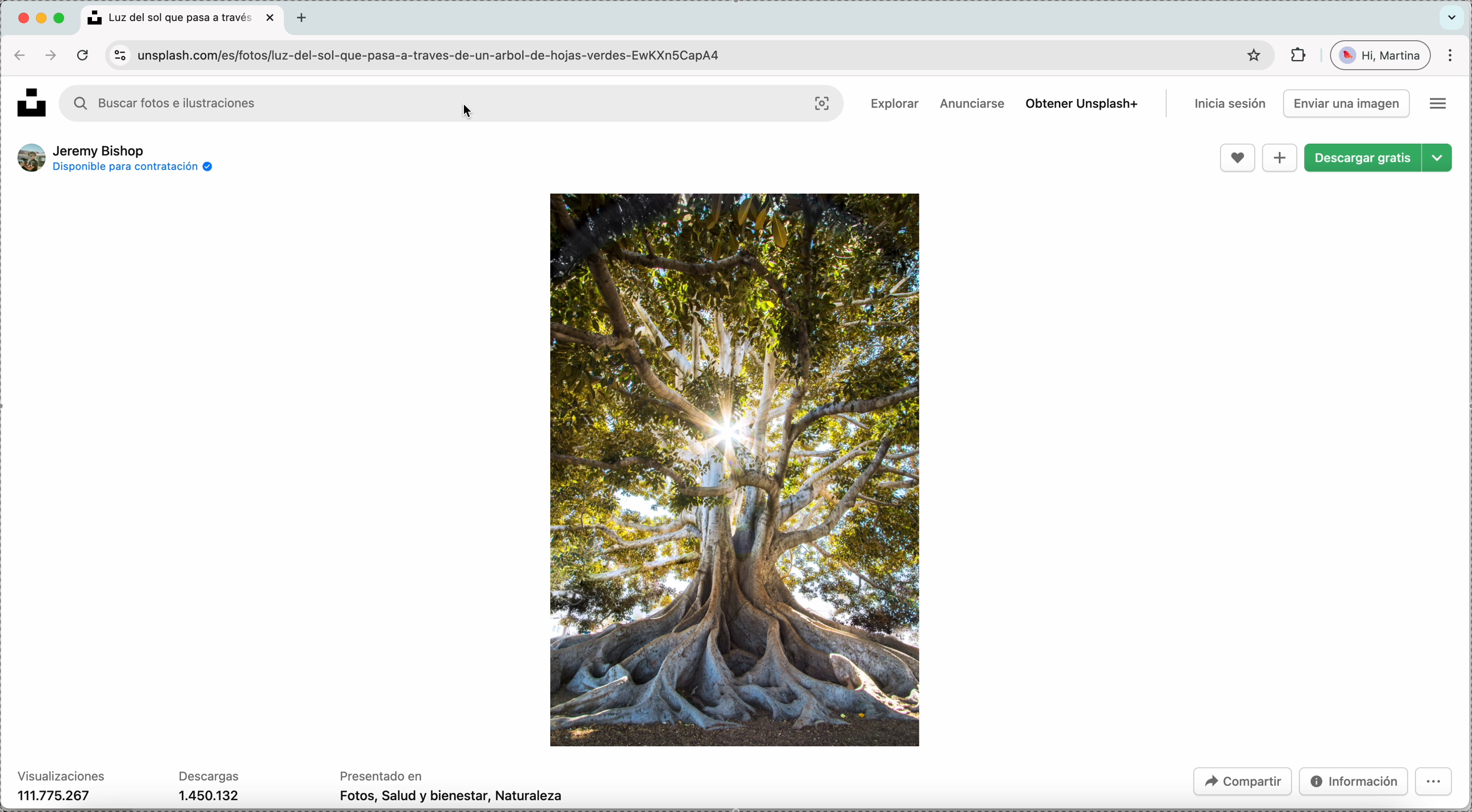 The height and width of the screenshot is (812, 1472). What do you see at coordinates (1280, 158) in the screenshot?
I see `add your library` at bounding box center [1280, 158].